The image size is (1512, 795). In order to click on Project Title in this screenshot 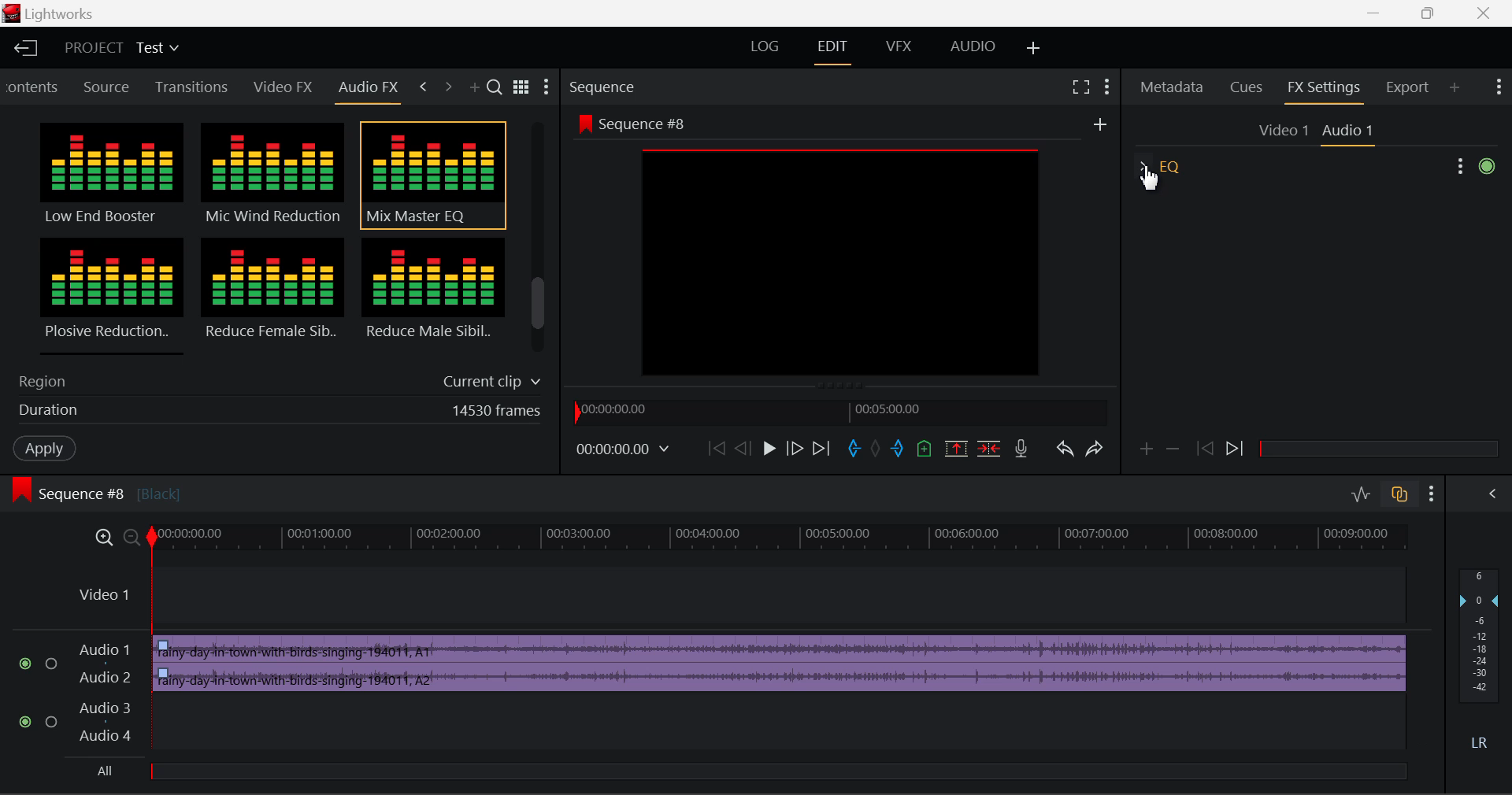, I will do `click(120, 47)`.